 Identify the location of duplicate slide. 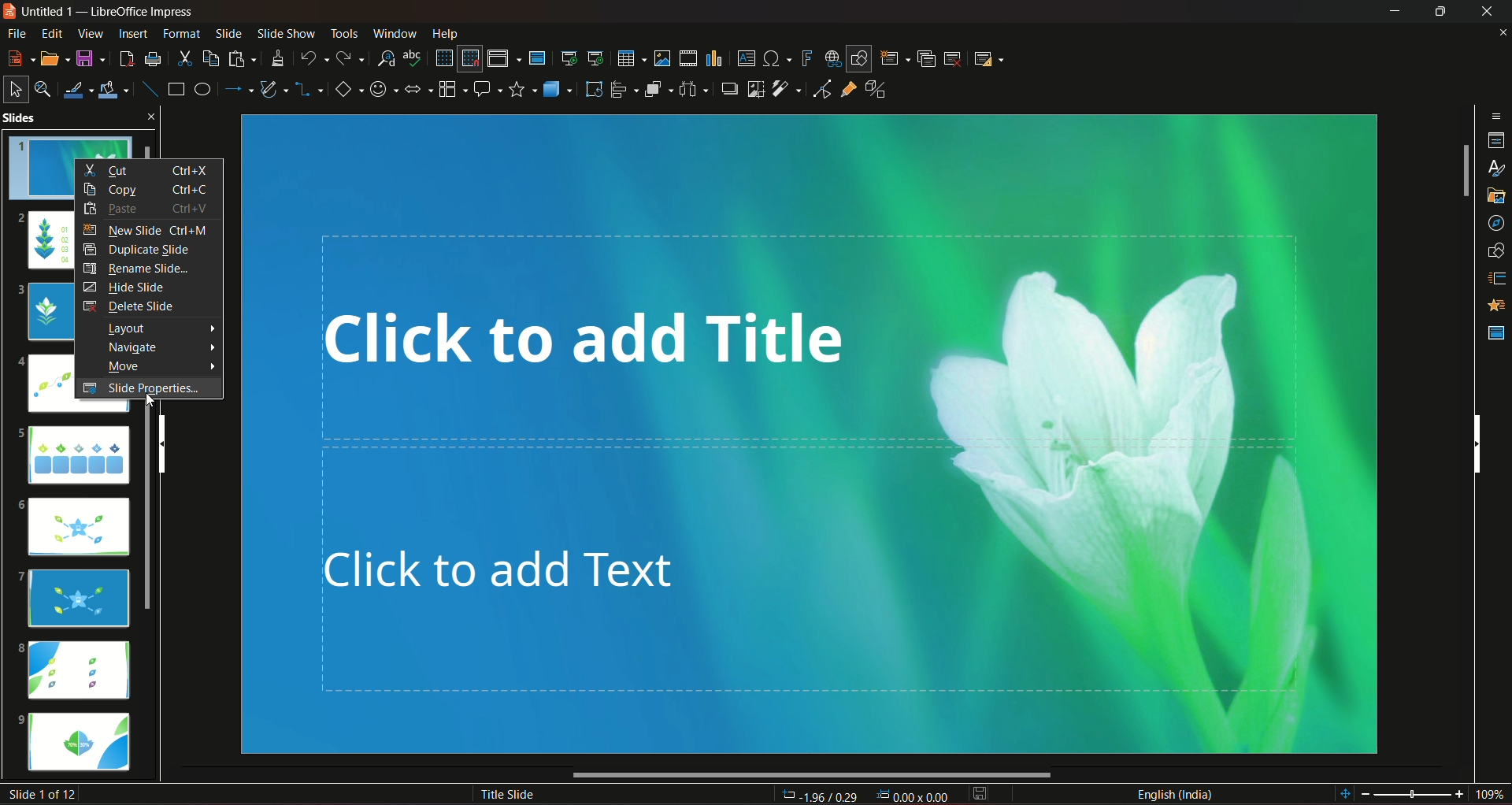
(137, 250).